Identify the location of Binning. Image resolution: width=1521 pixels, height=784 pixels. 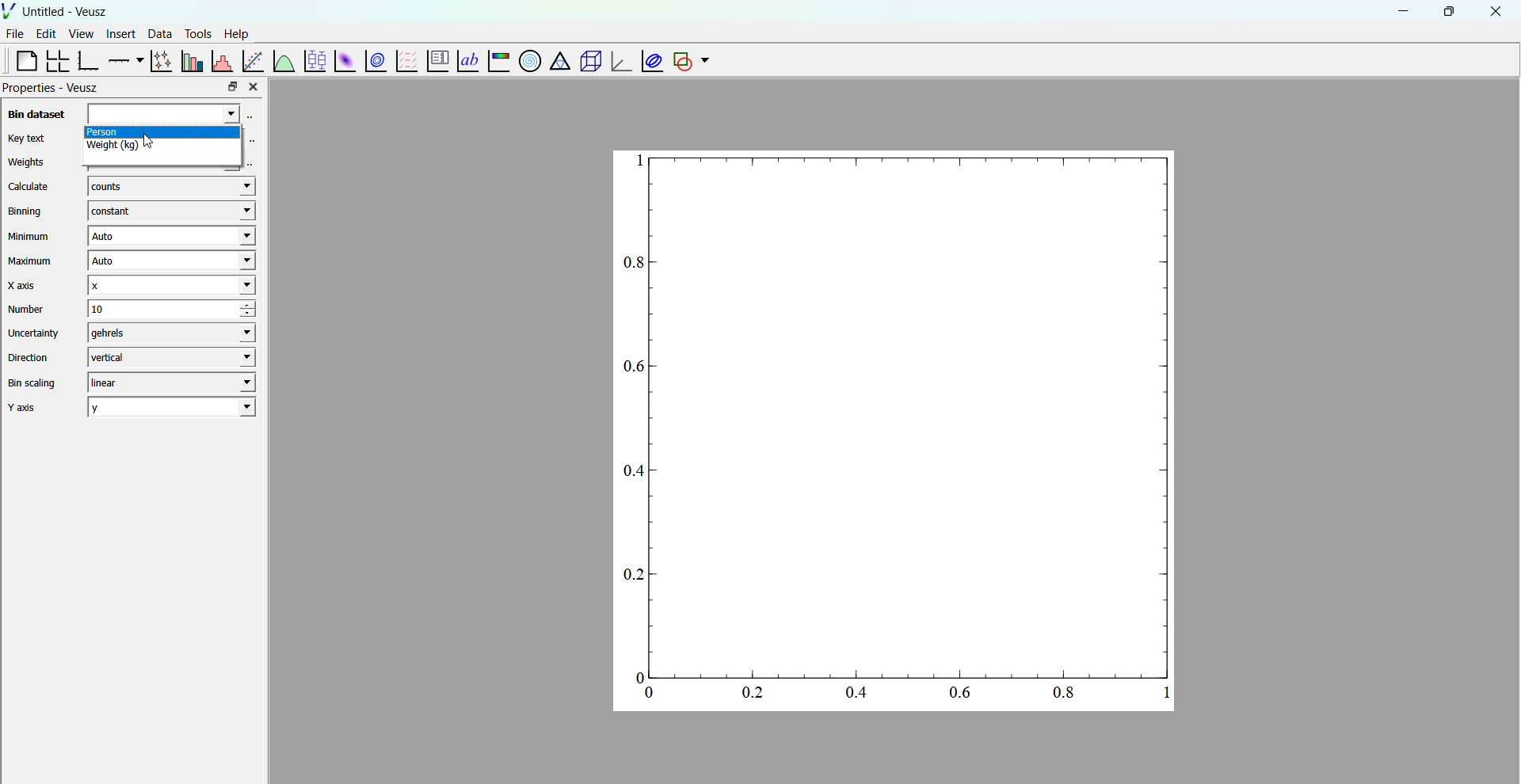
(28, 211).